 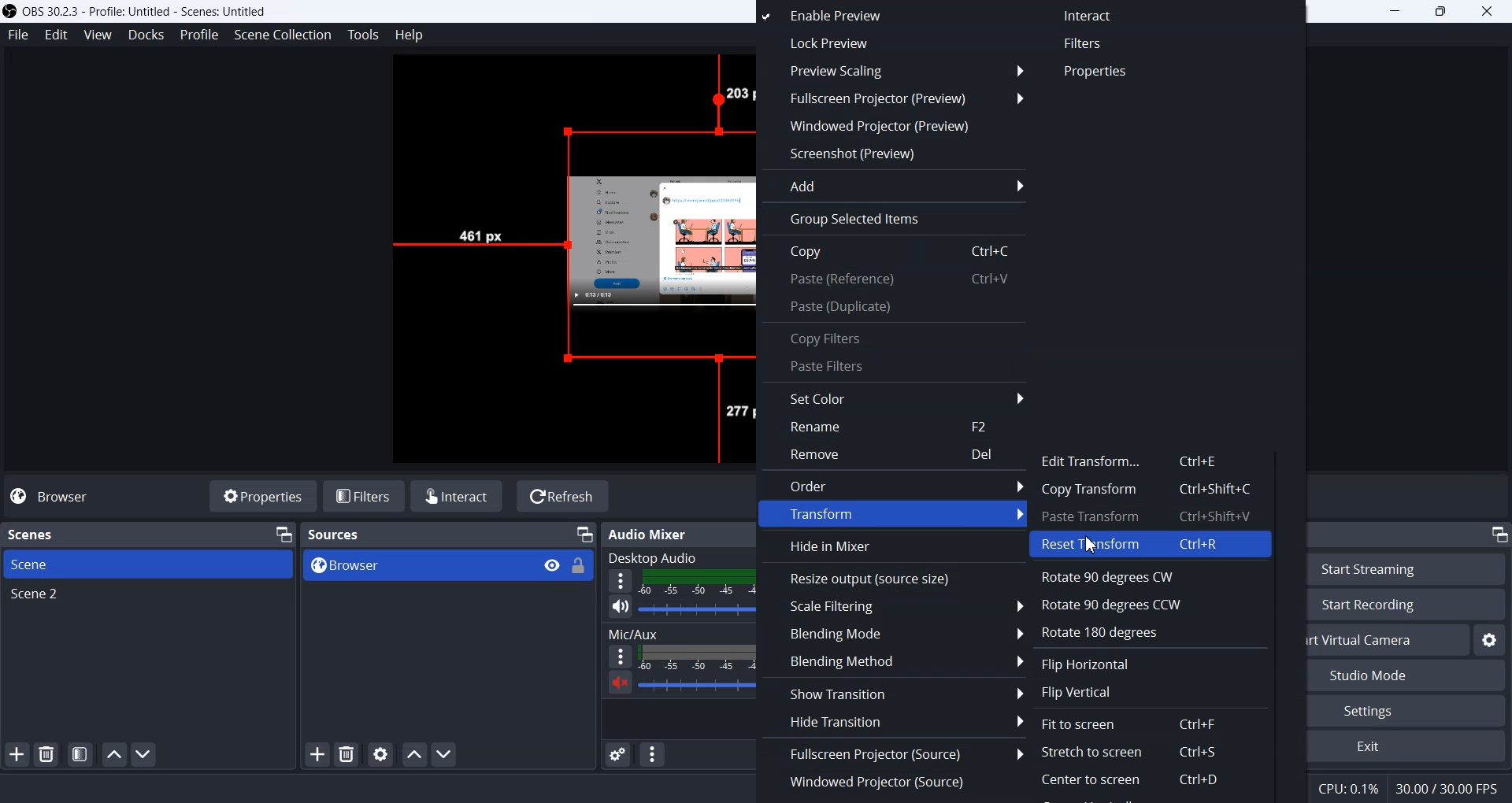 I want to click on Lock, so click(x=583, y=572).